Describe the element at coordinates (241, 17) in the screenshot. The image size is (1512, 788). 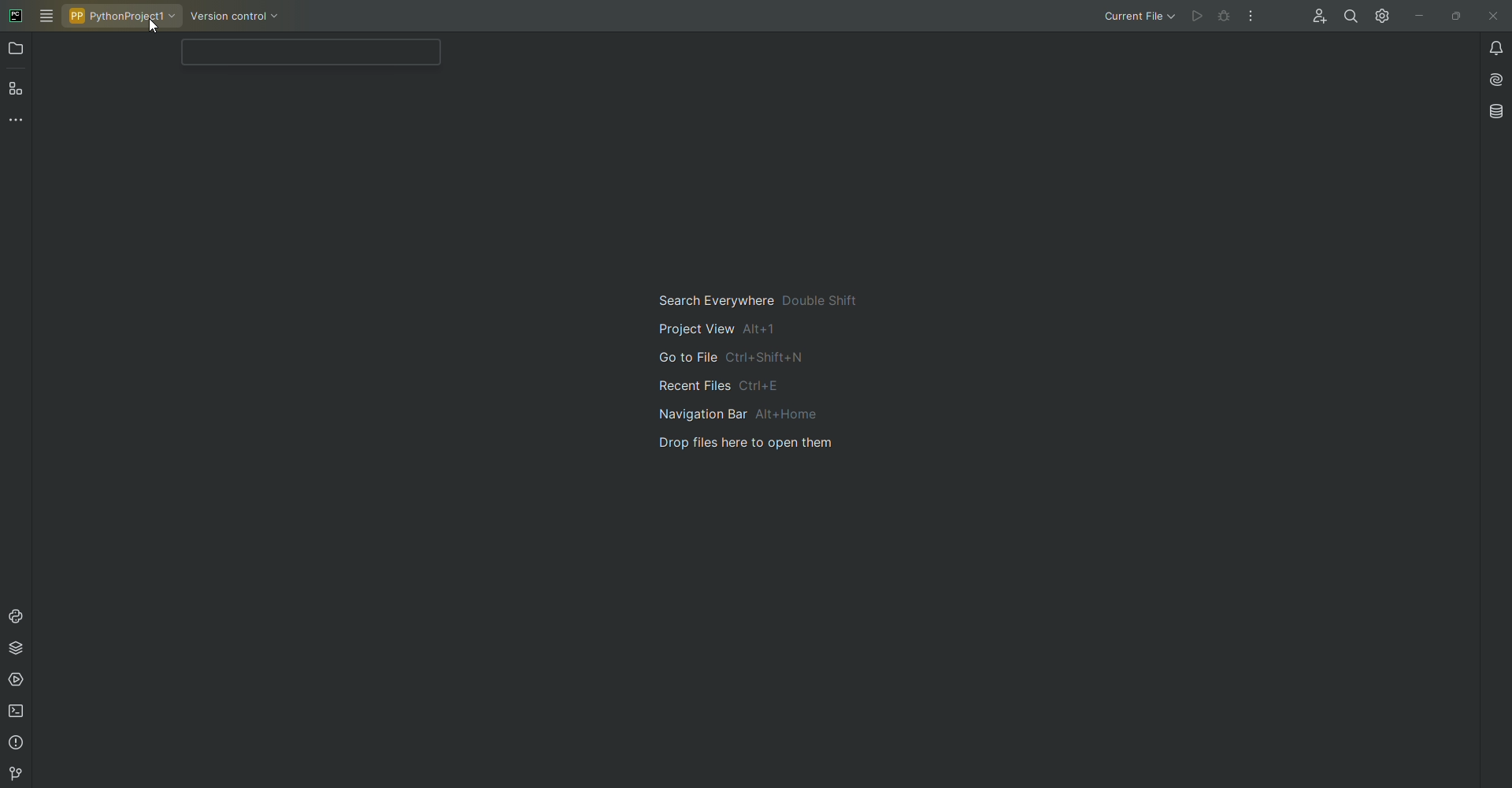
I see `Version Control` at that location.